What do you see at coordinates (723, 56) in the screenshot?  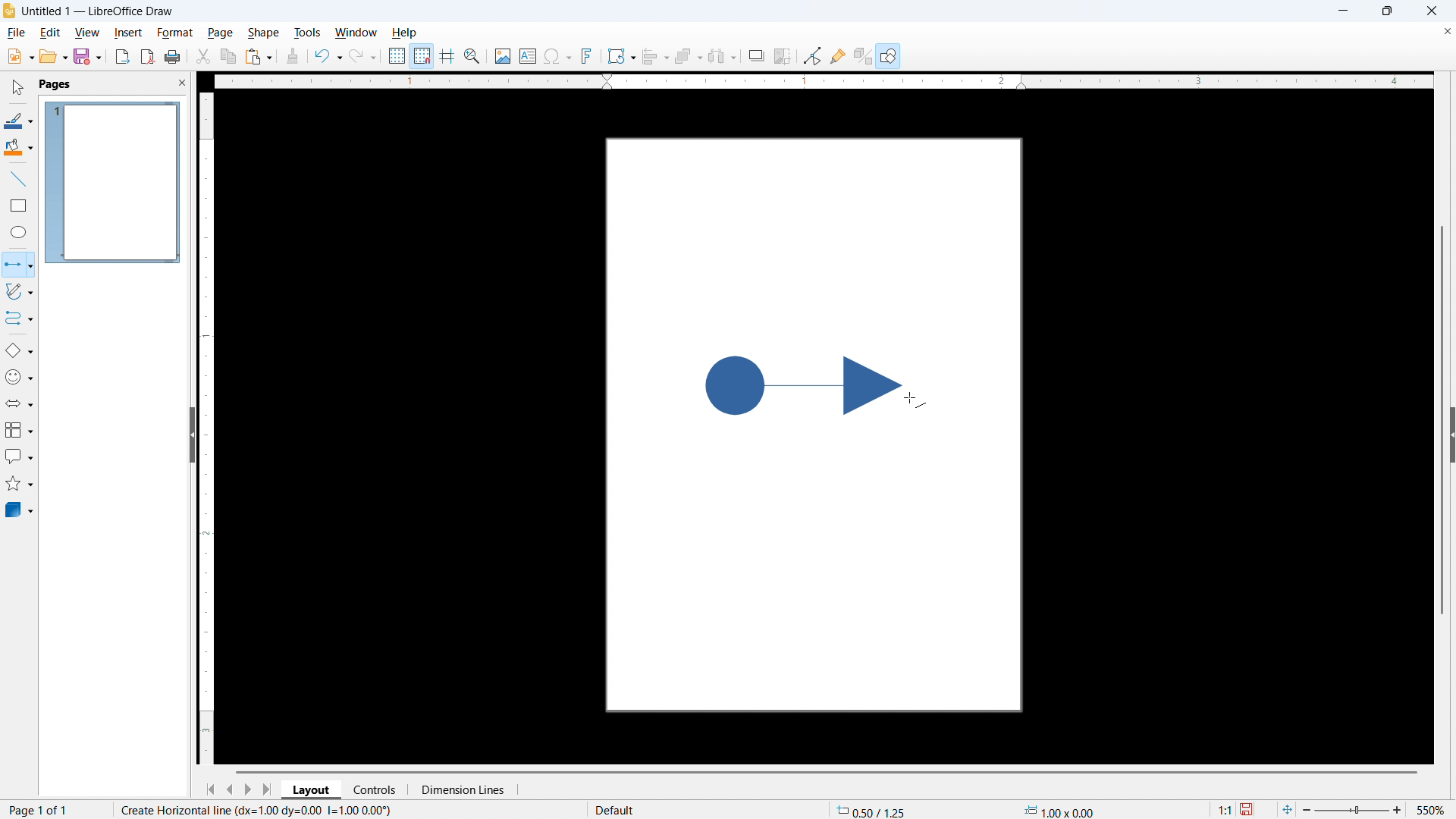 I see `Select at least three objects to distribute` at bounding box center [723, 56].